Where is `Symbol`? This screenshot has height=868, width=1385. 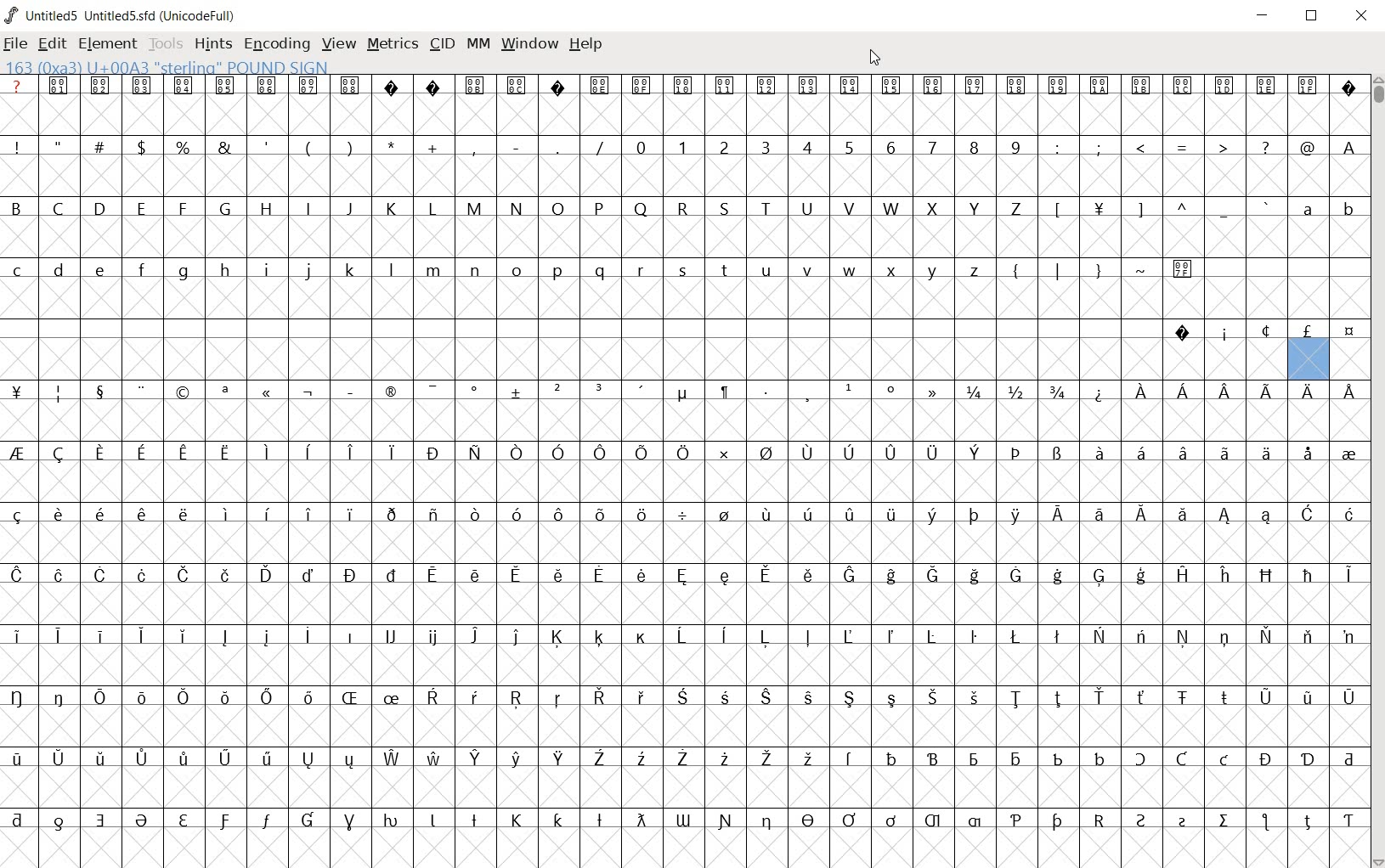 Symbol is located at coordinates (20, 576).